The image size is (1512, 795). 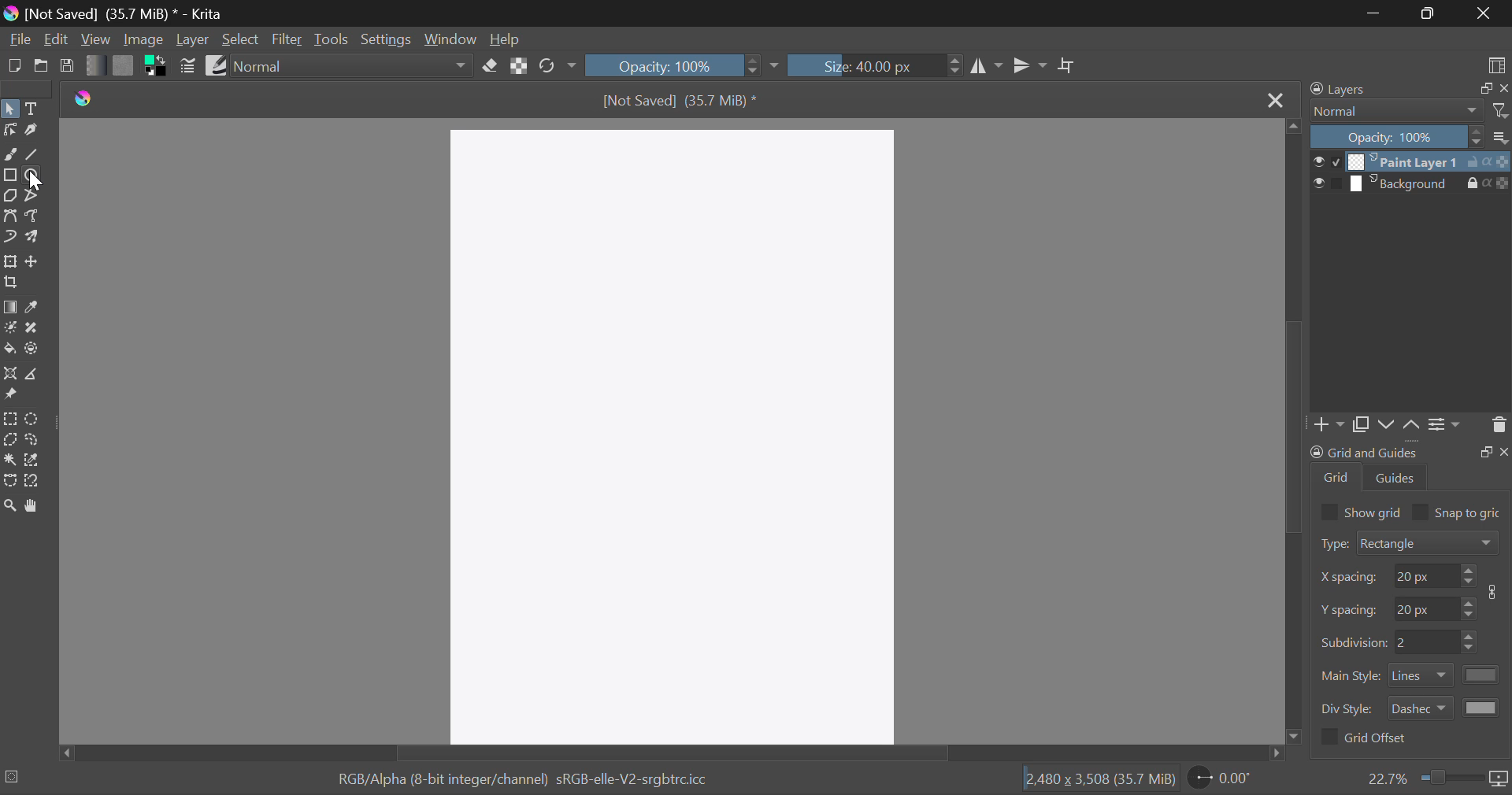 I want to click on Help, so click(x=507, y=41).